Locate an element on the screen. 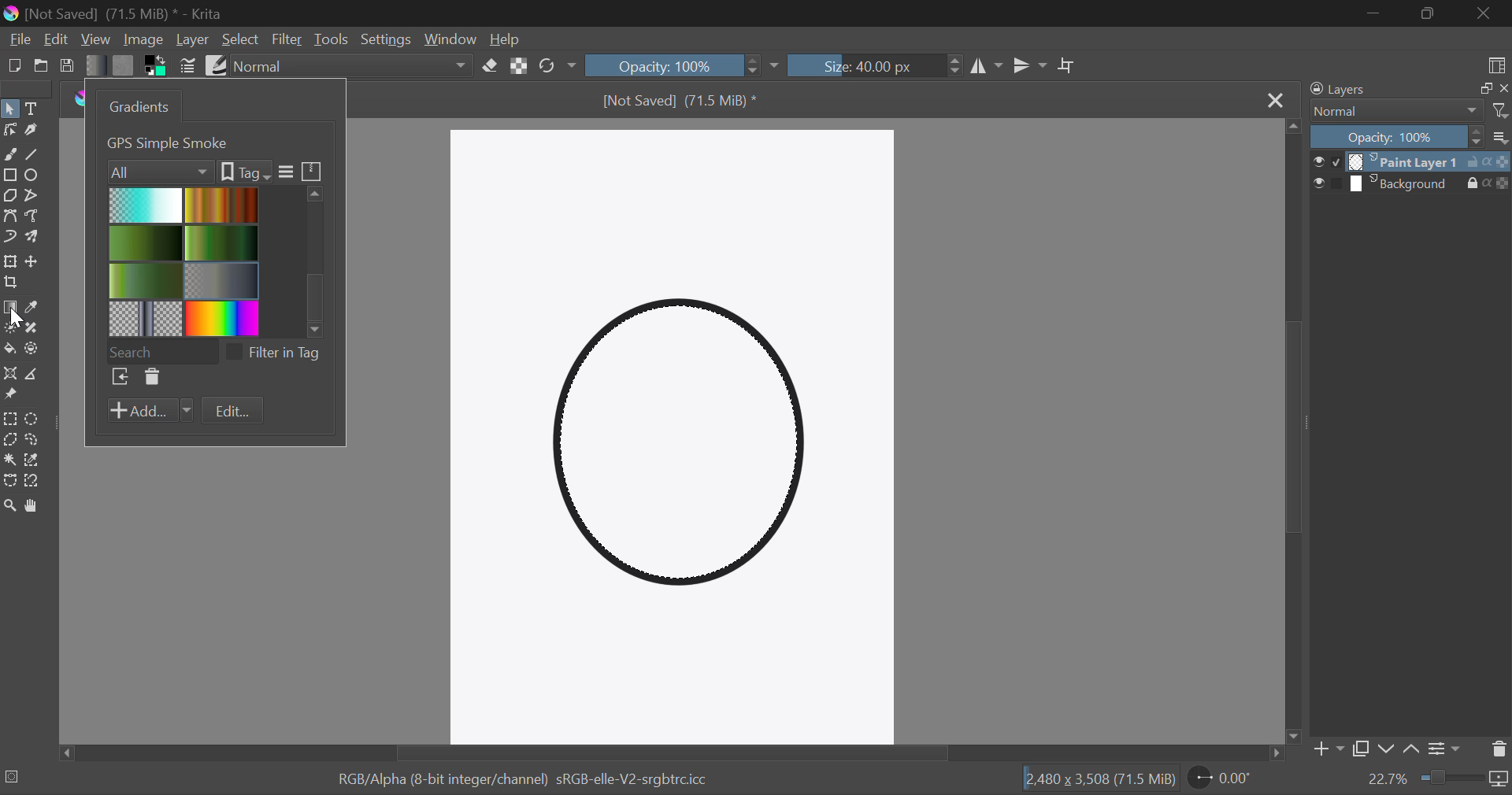 This screenshot has width=1512, height=795. Move Layers is located at coordinates (35, 264).